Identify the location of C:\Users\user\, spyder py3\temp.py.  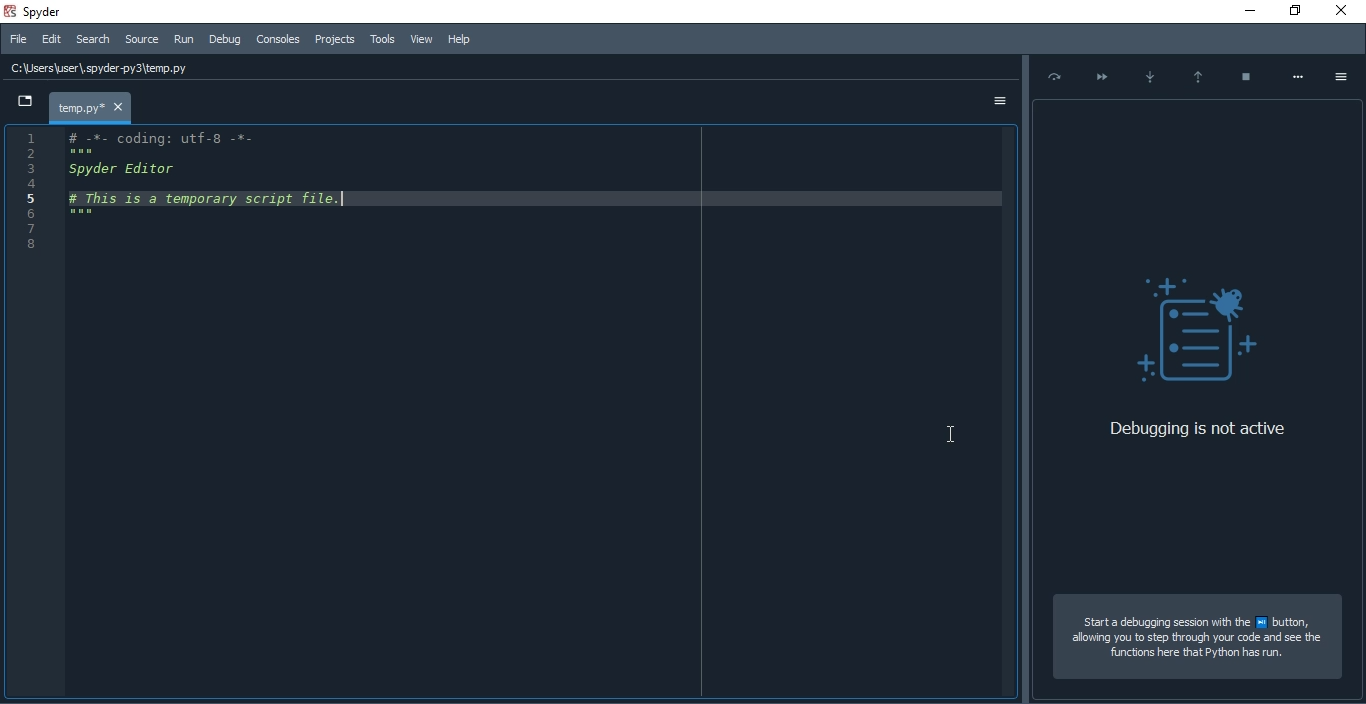
(105, 69).